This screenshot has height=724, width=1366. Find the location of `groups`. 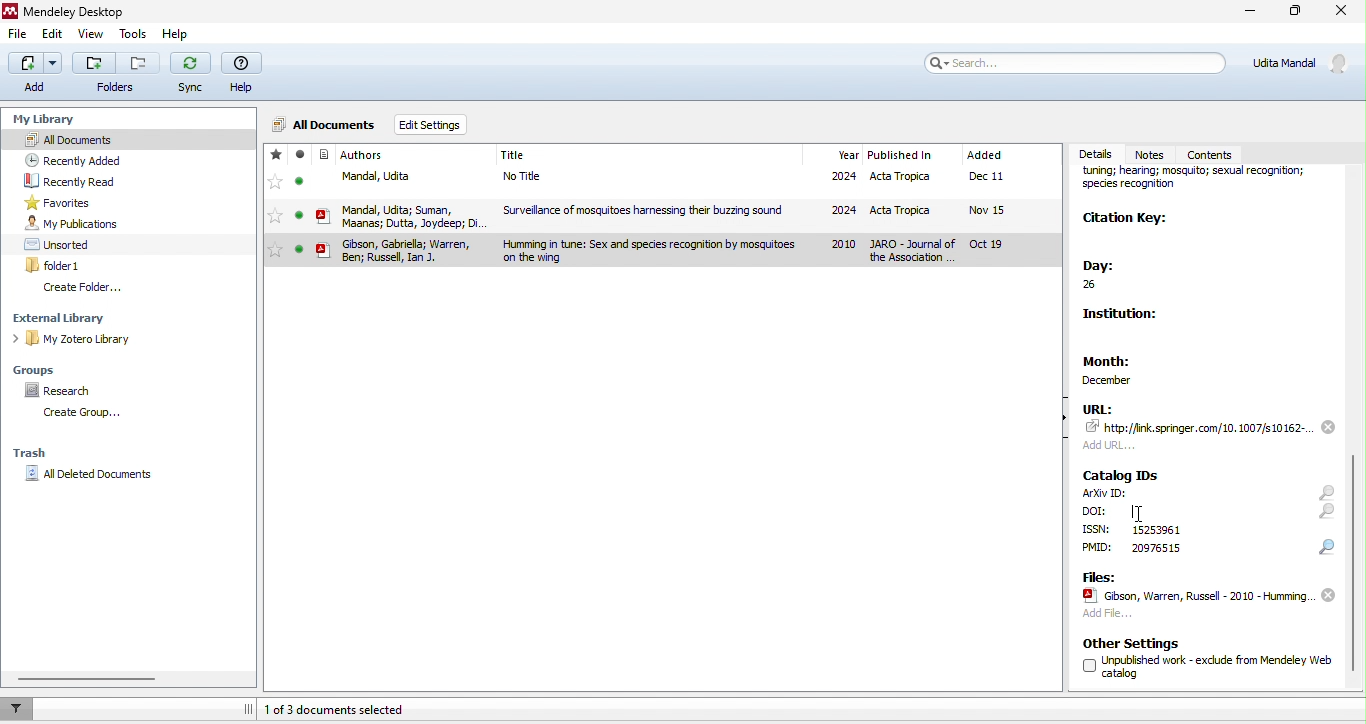

groups is located at coordinates (41, 368).